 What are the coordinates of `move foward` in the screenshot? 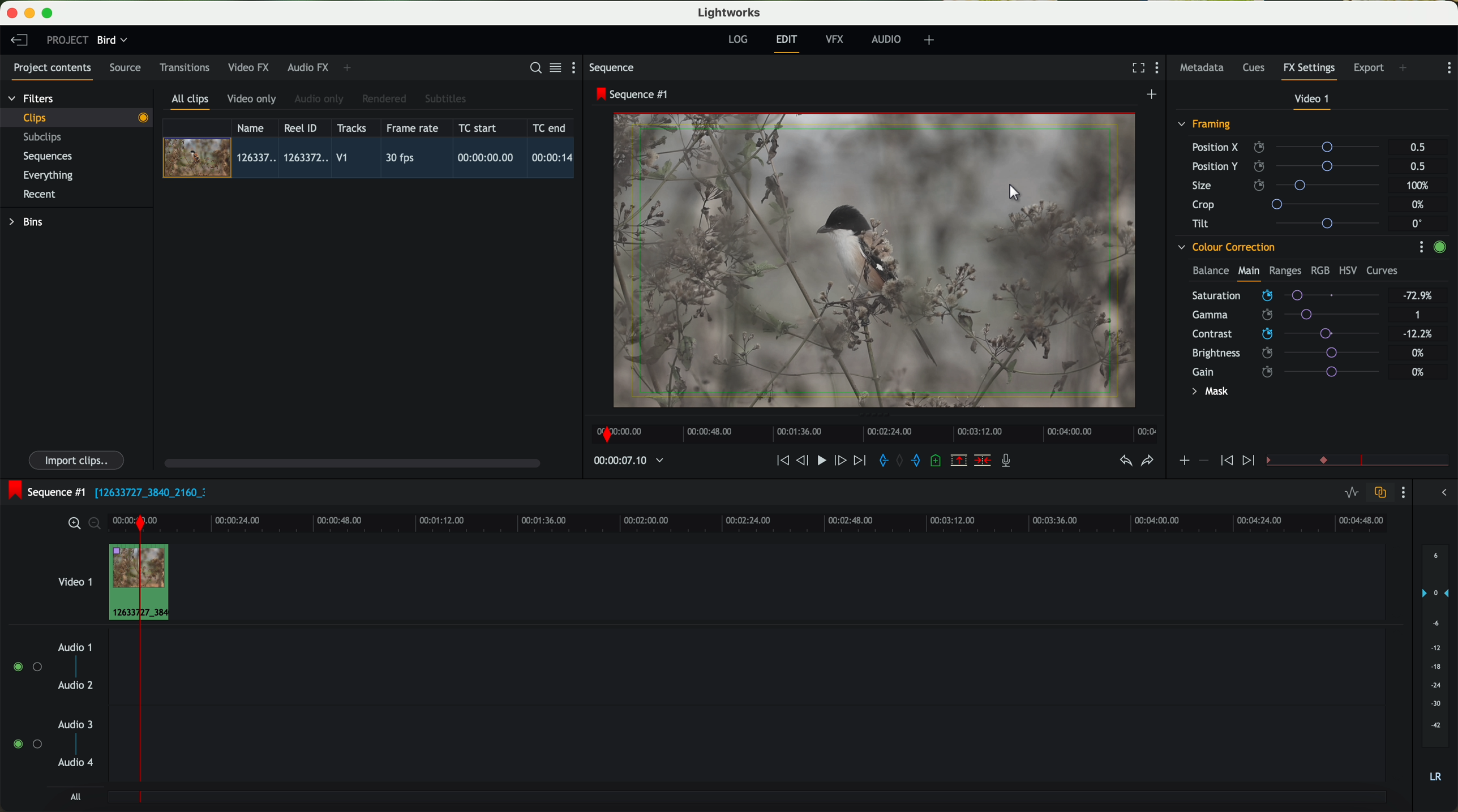 It's located at (859, 461).